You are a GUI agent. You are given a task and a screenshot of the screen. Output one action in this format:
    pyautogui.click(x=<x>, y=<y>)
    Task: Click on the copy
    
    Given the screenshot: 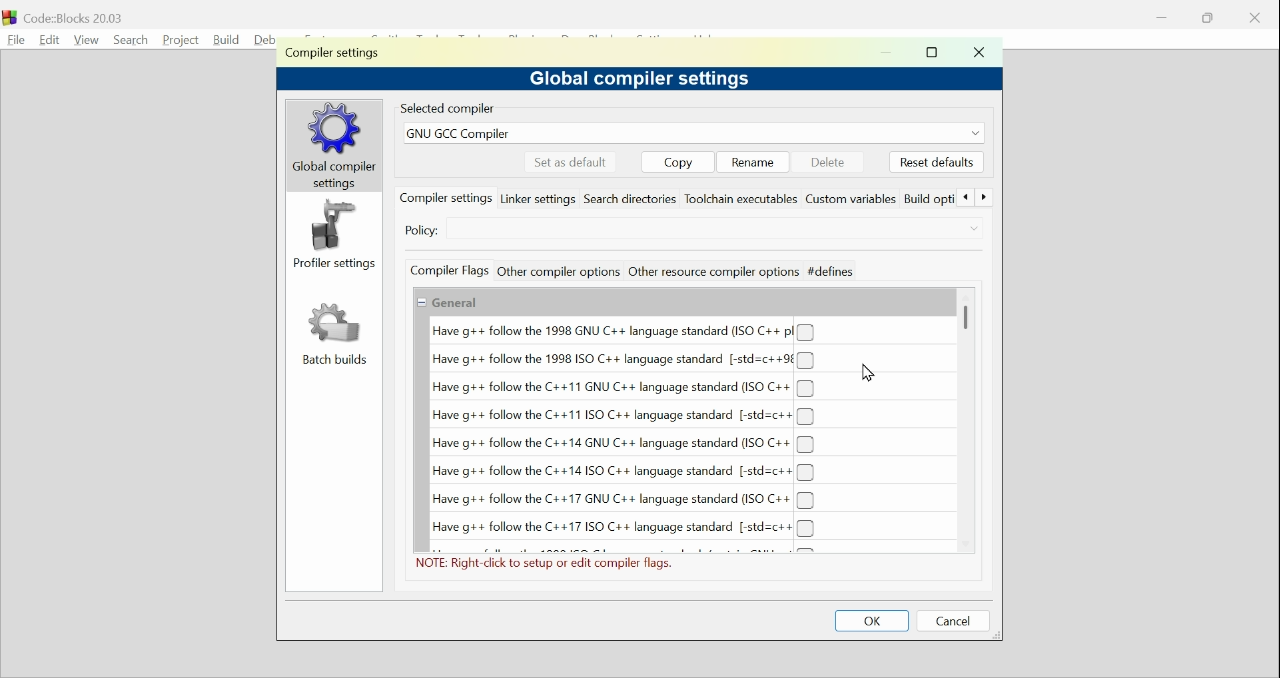 What is the action you would take?
    pyautogui.click(x=678, y=161)
    